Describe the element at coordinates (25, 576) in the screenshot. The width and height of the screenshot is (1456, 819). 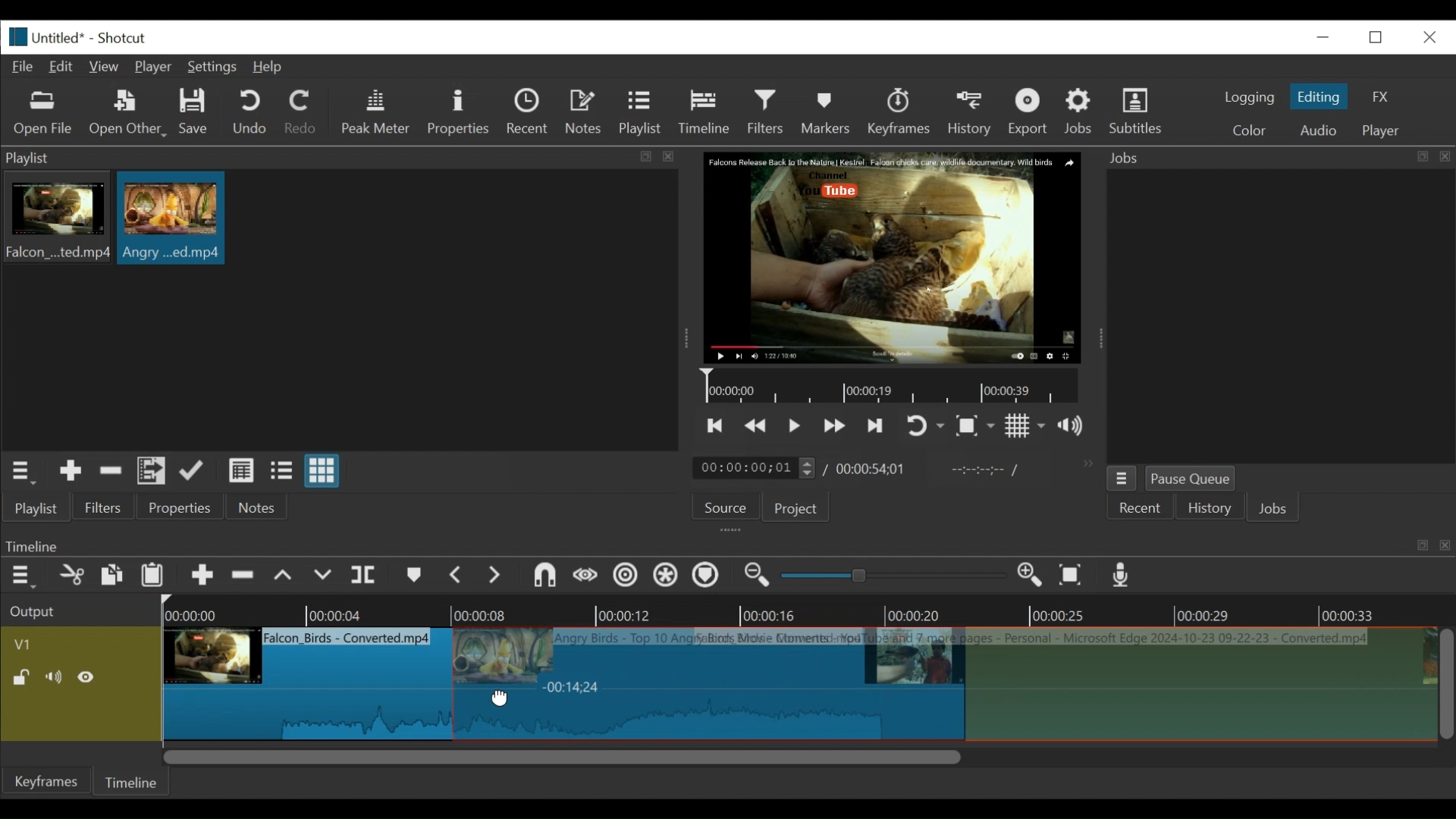
I see `Timeline menu` at that location.